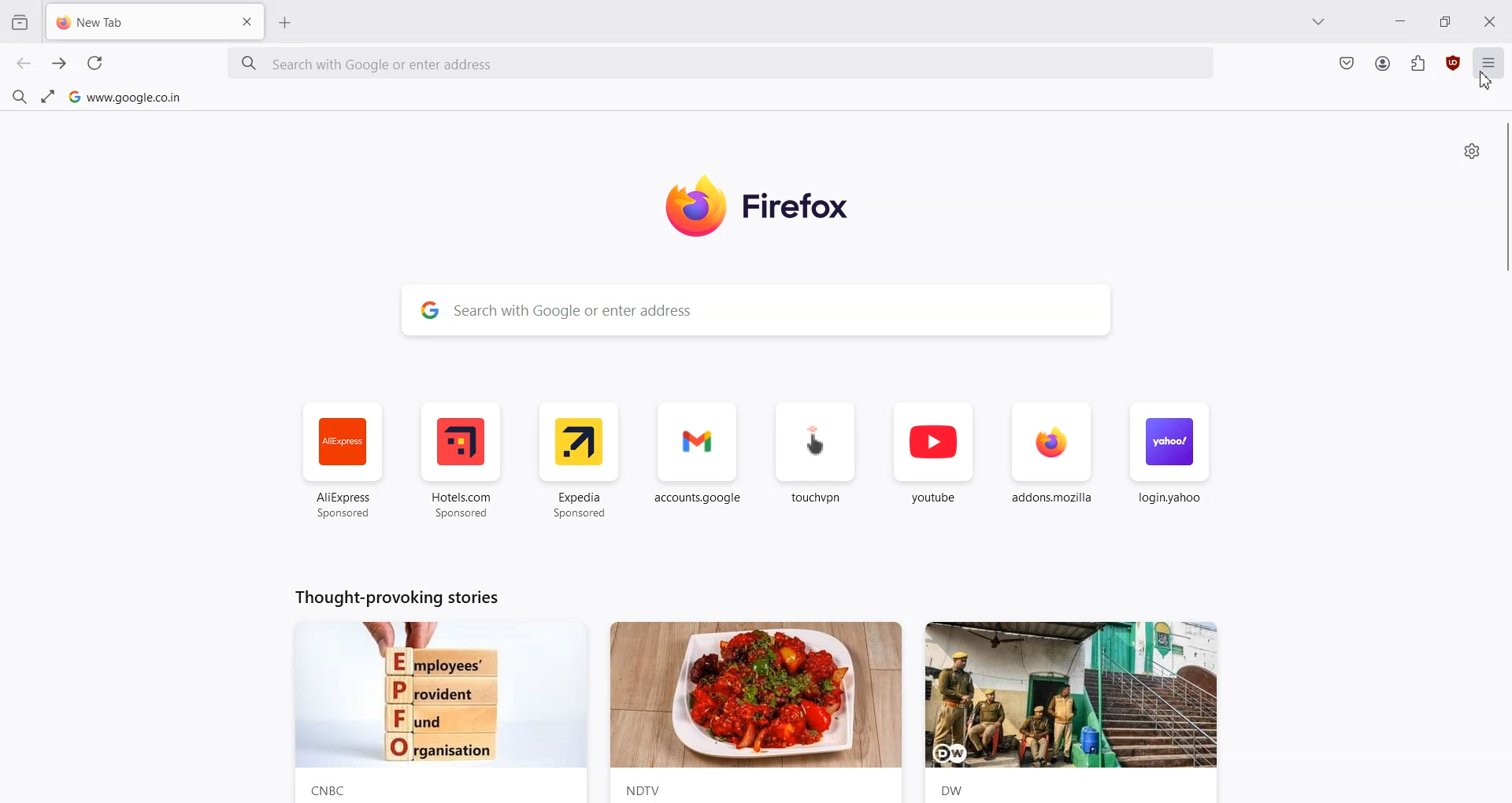  What do you see at coordinates (1052, 463) in the screenshot?
I see `addons.mozilla` at bounding box center [1052, 463].